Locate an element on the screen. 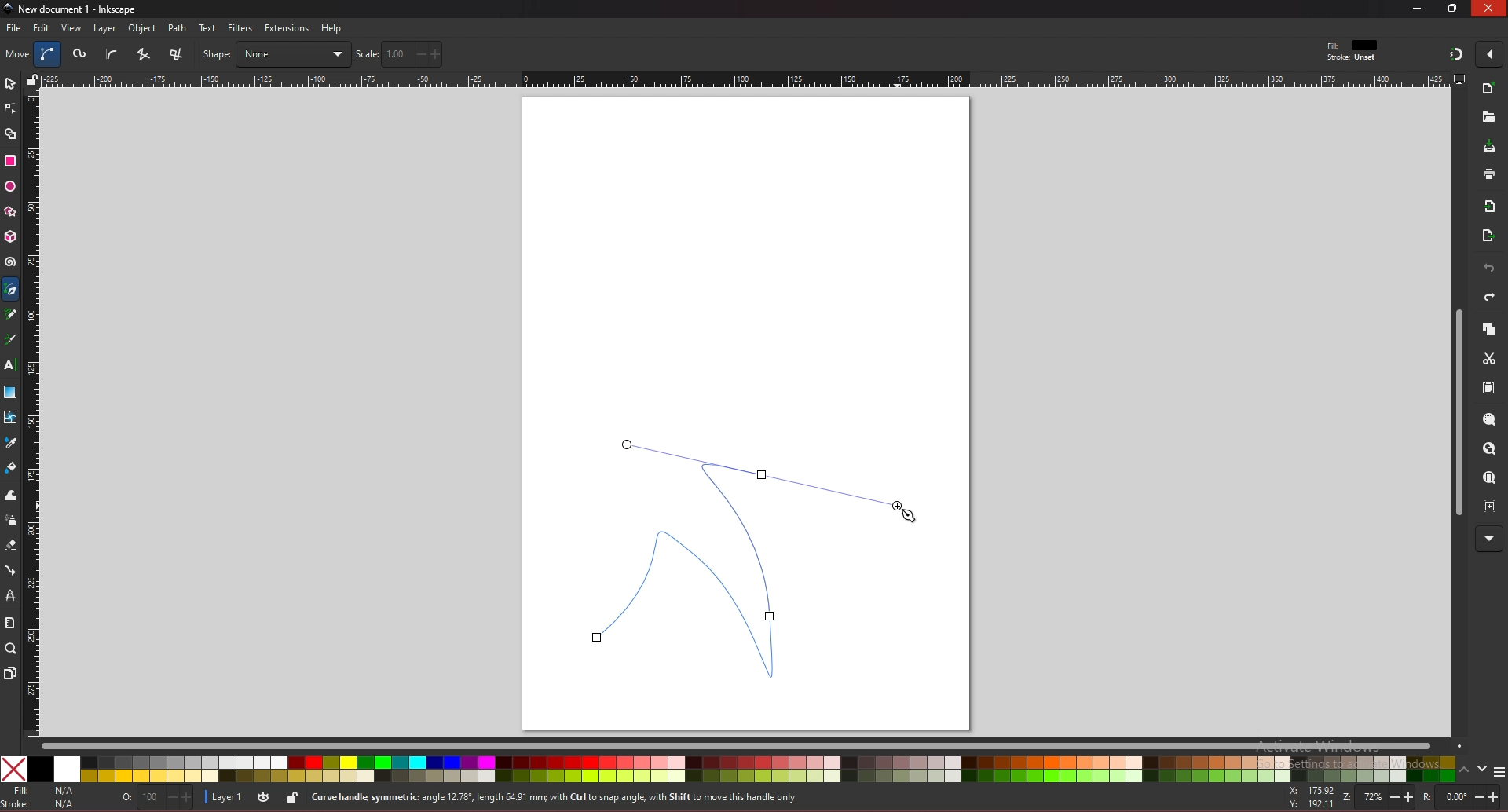 This screenshot has width=1508, height=812. title is located at coordinates (72, 8).